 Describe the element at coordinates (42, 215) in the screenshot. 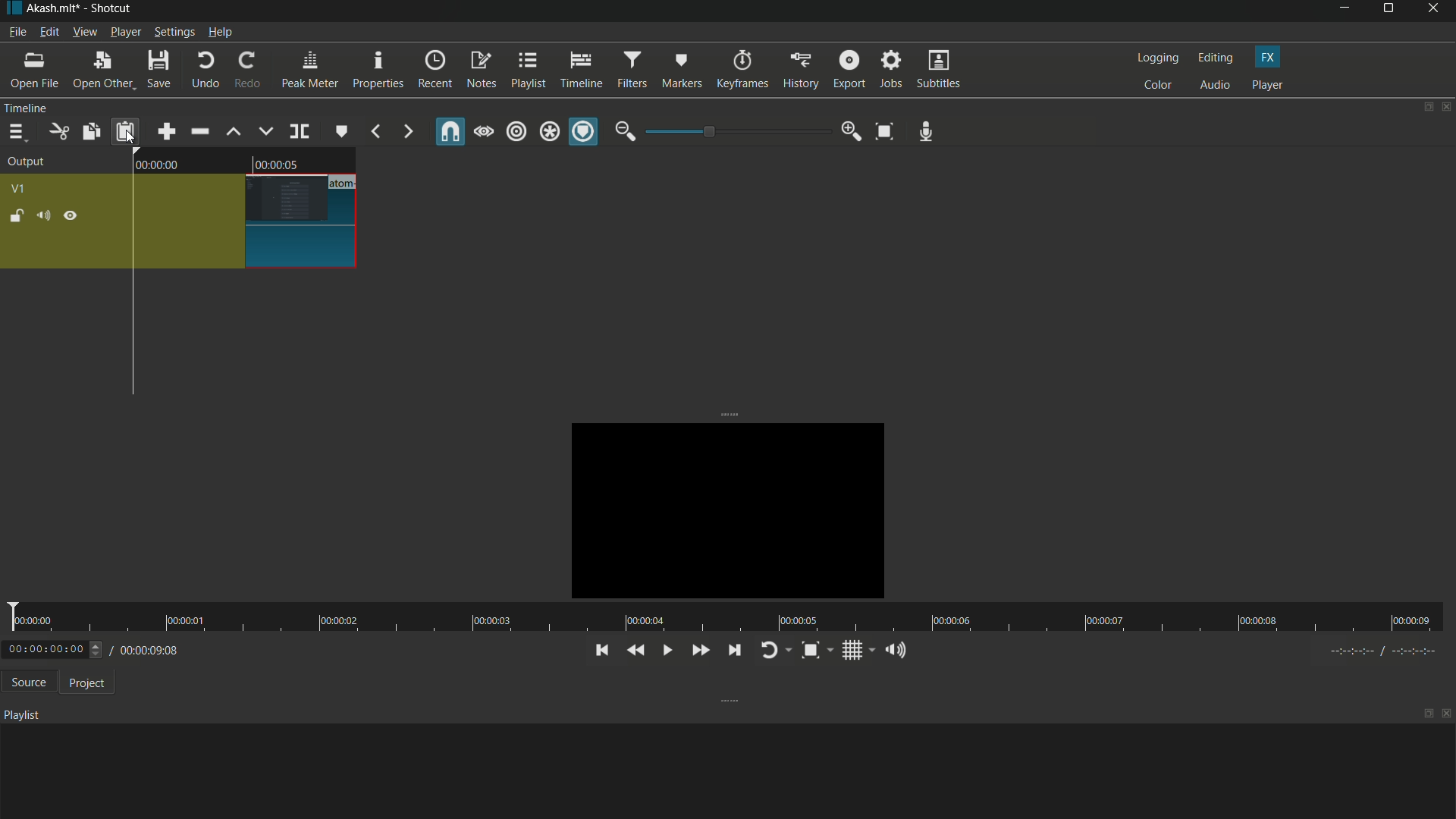

I see `mute` at that location.